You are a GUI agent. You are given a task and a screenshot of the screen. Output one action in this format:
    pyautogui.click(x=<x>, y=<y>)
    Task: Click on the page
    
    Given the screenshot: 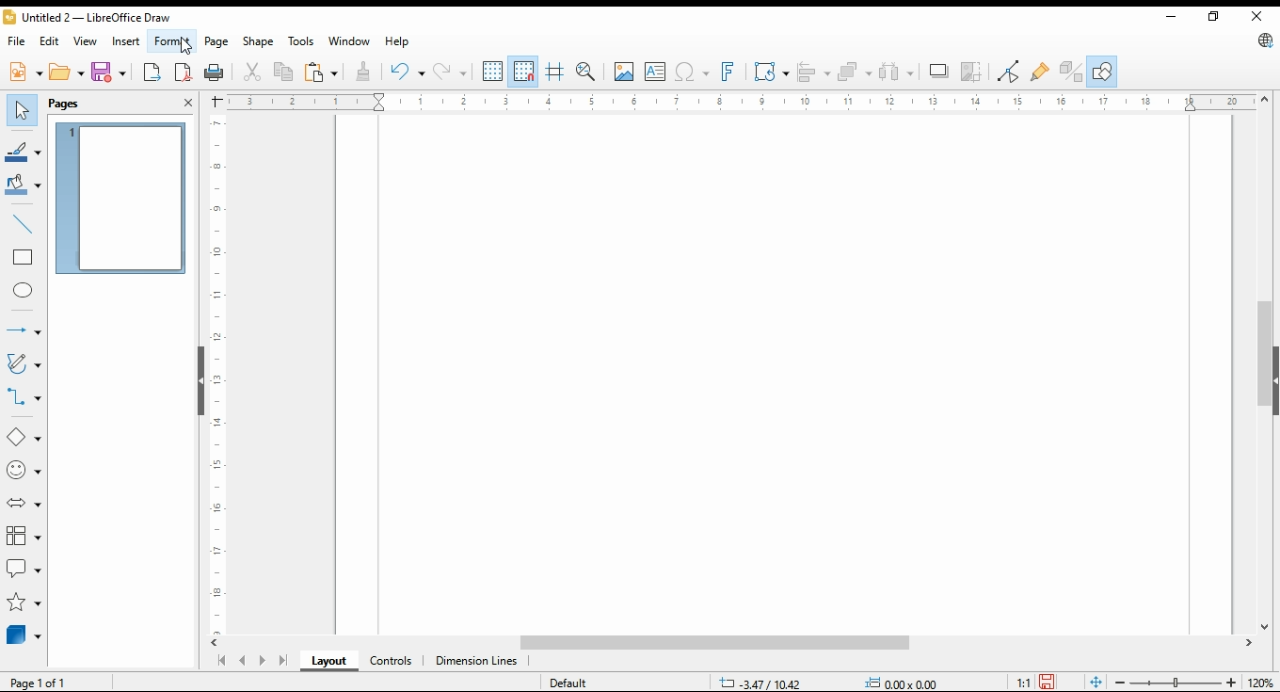 What is the action you would take?
    pyautogui.click(x=219, y=41)
    